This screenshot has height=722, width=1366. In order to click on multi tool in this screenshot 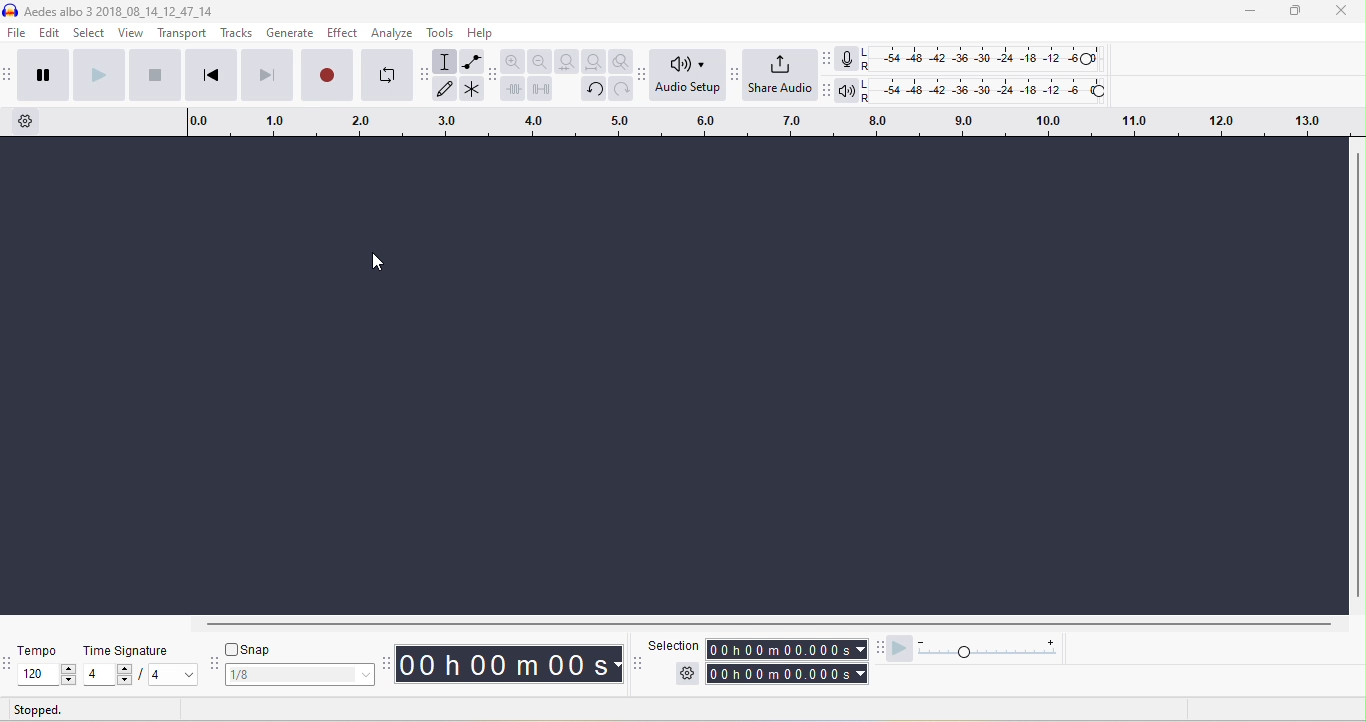, I will do `click(472, 92)`.